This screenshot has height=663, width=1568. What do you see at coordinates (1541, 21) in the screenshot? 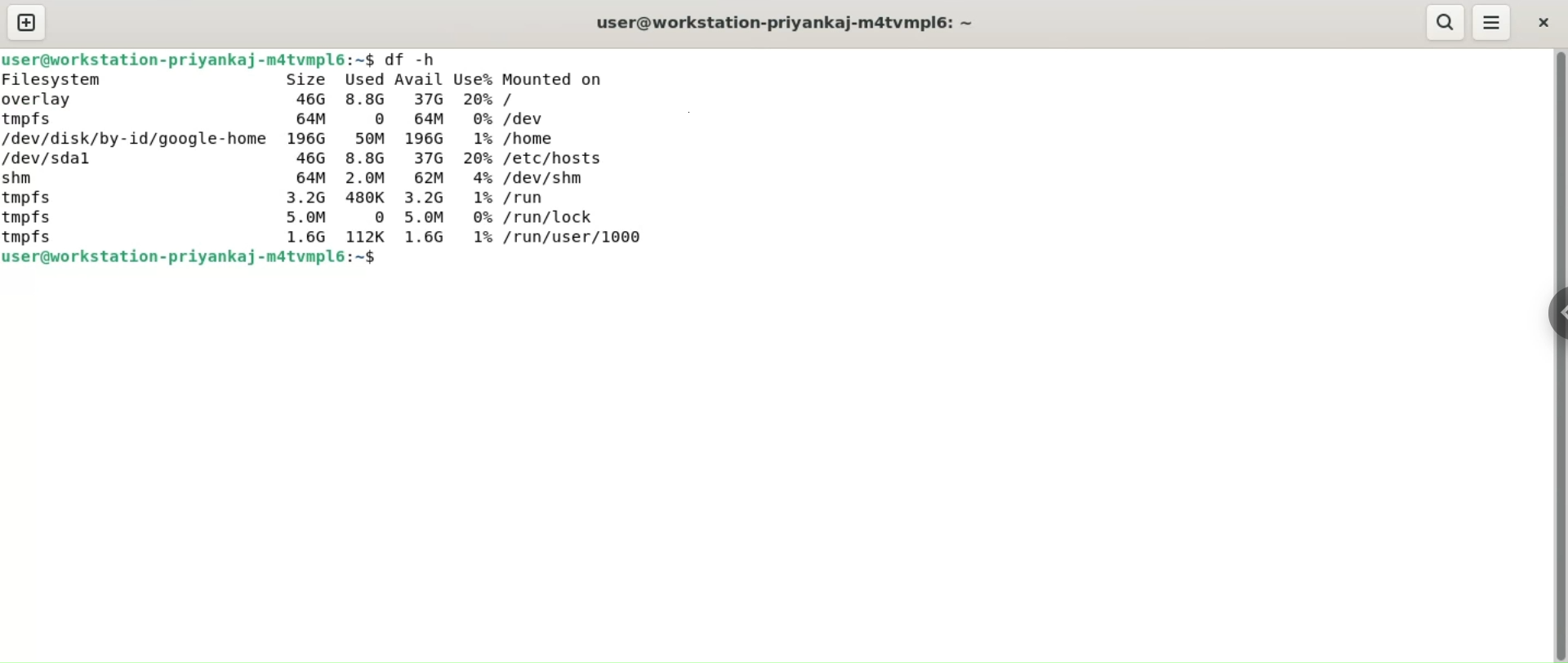
I see `close` at bounding box center [1541, 21].